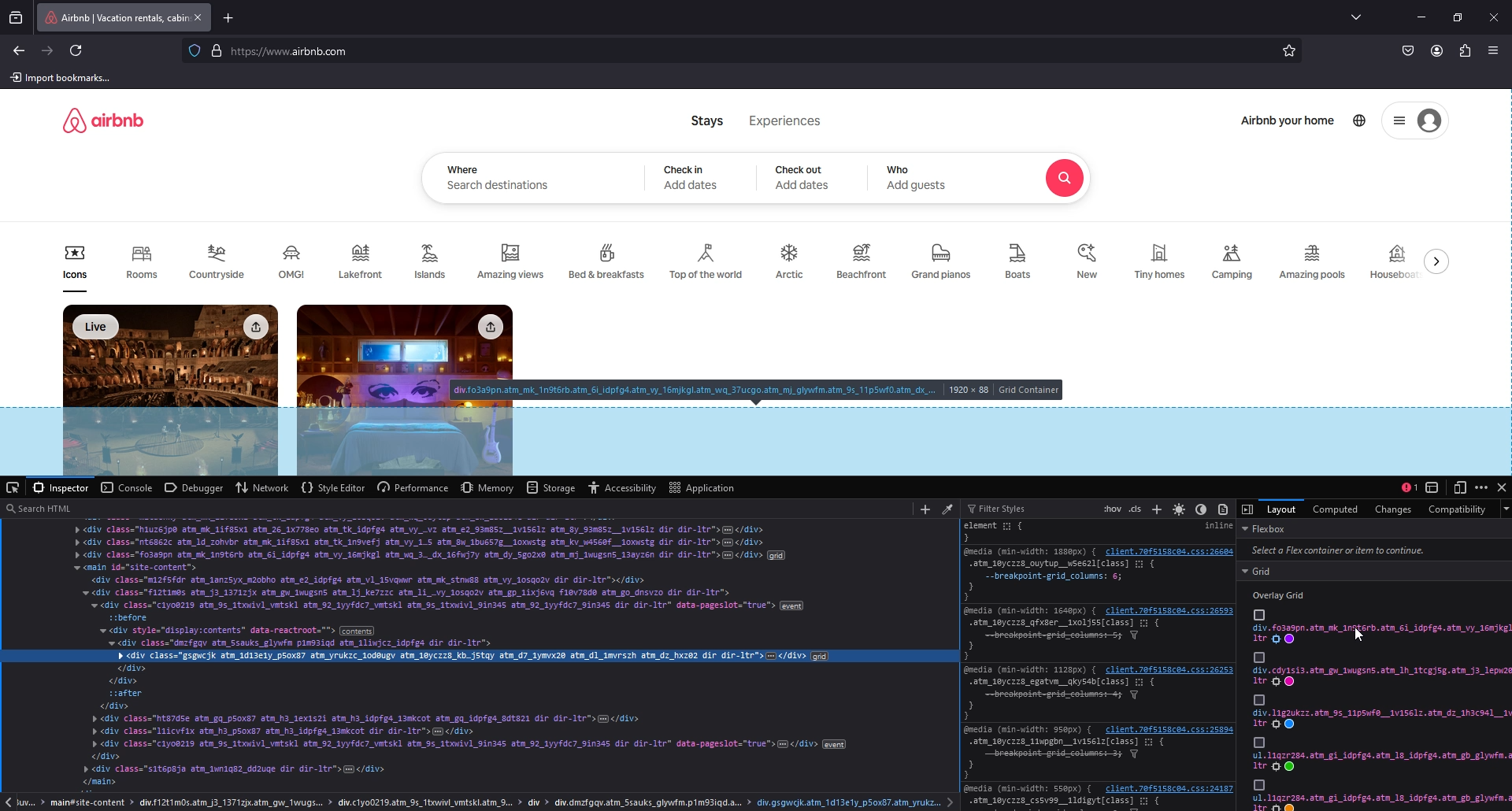 The height and width of the screenshot is (811, 1512). I want to click on grid, so click(1376, 571).